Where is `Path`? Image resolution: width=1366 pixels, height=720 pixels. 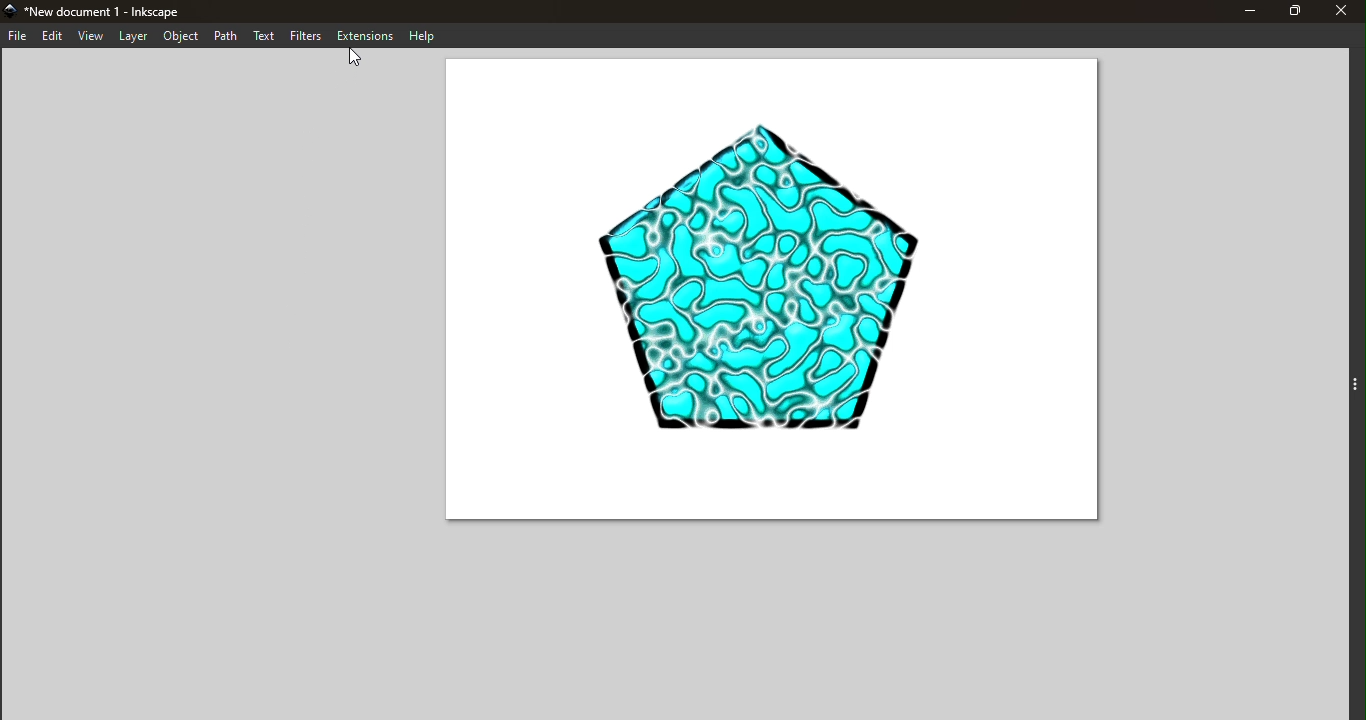
Path is located at coordinates (225, 35).